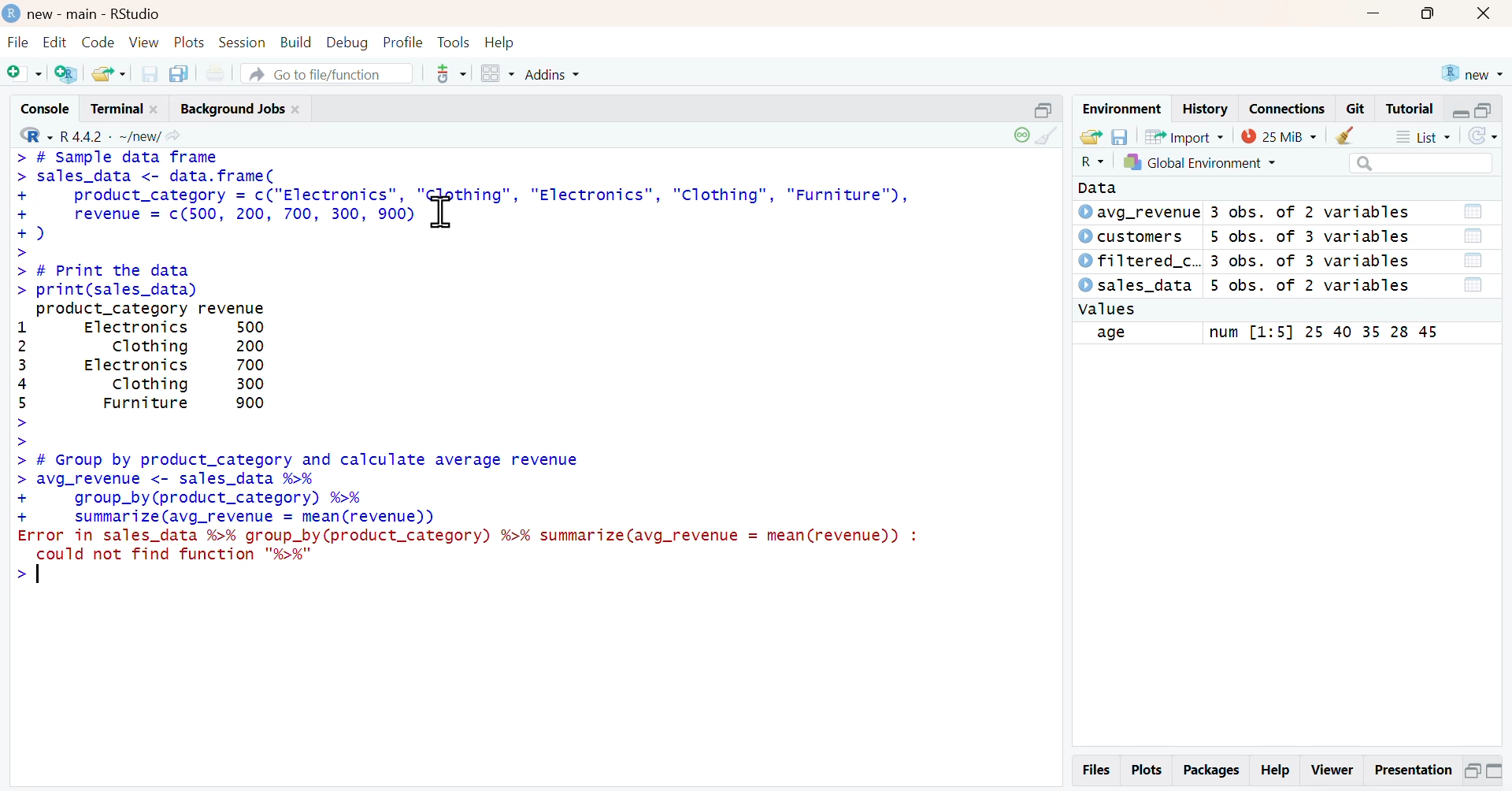 This screenshot has width=1512, height=791. I want to click on Plots, so click(190, 42).